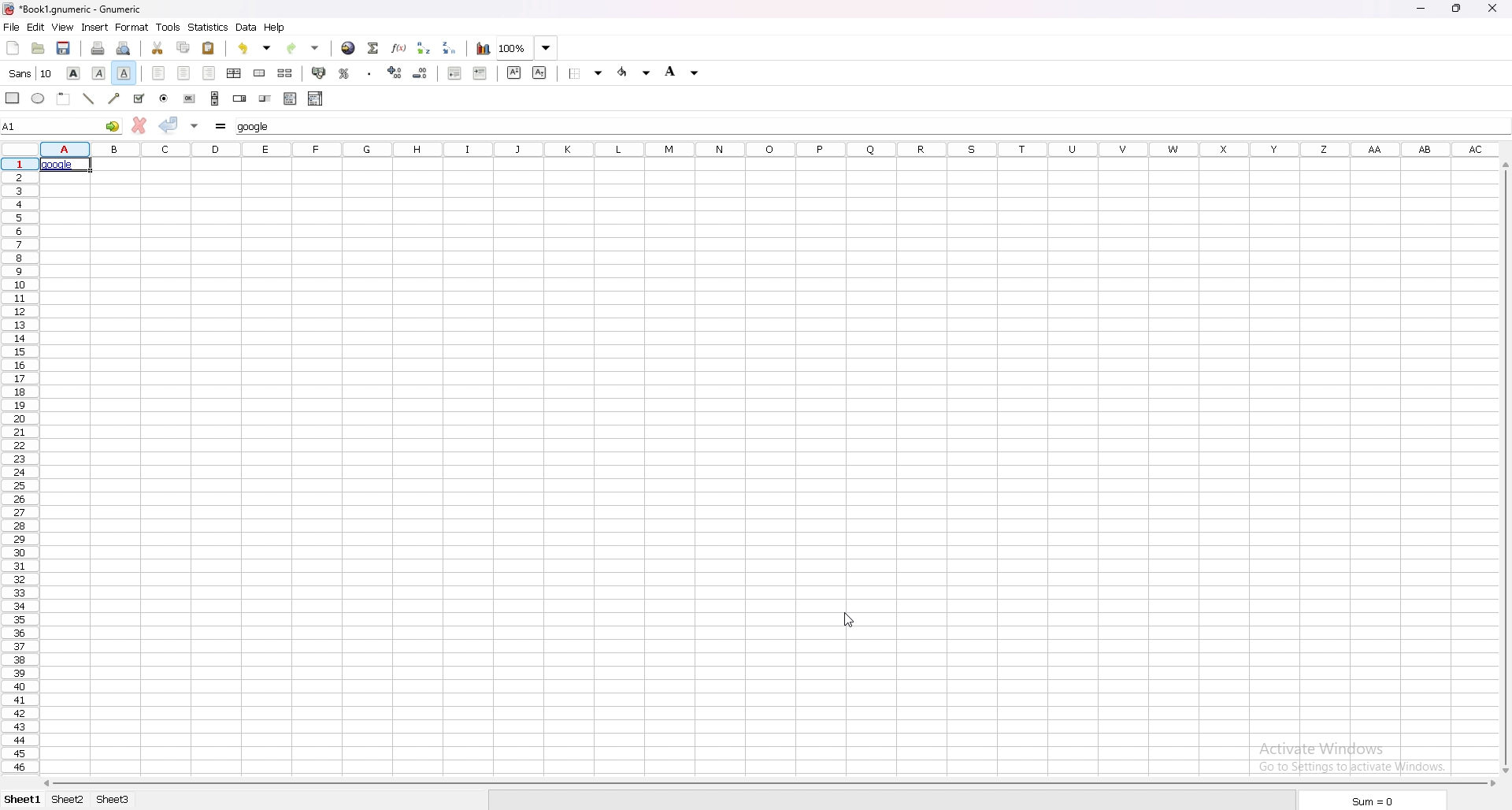  Describe the element at coordinates (515, 72) in the screenshot. I see `superscript` at that location.